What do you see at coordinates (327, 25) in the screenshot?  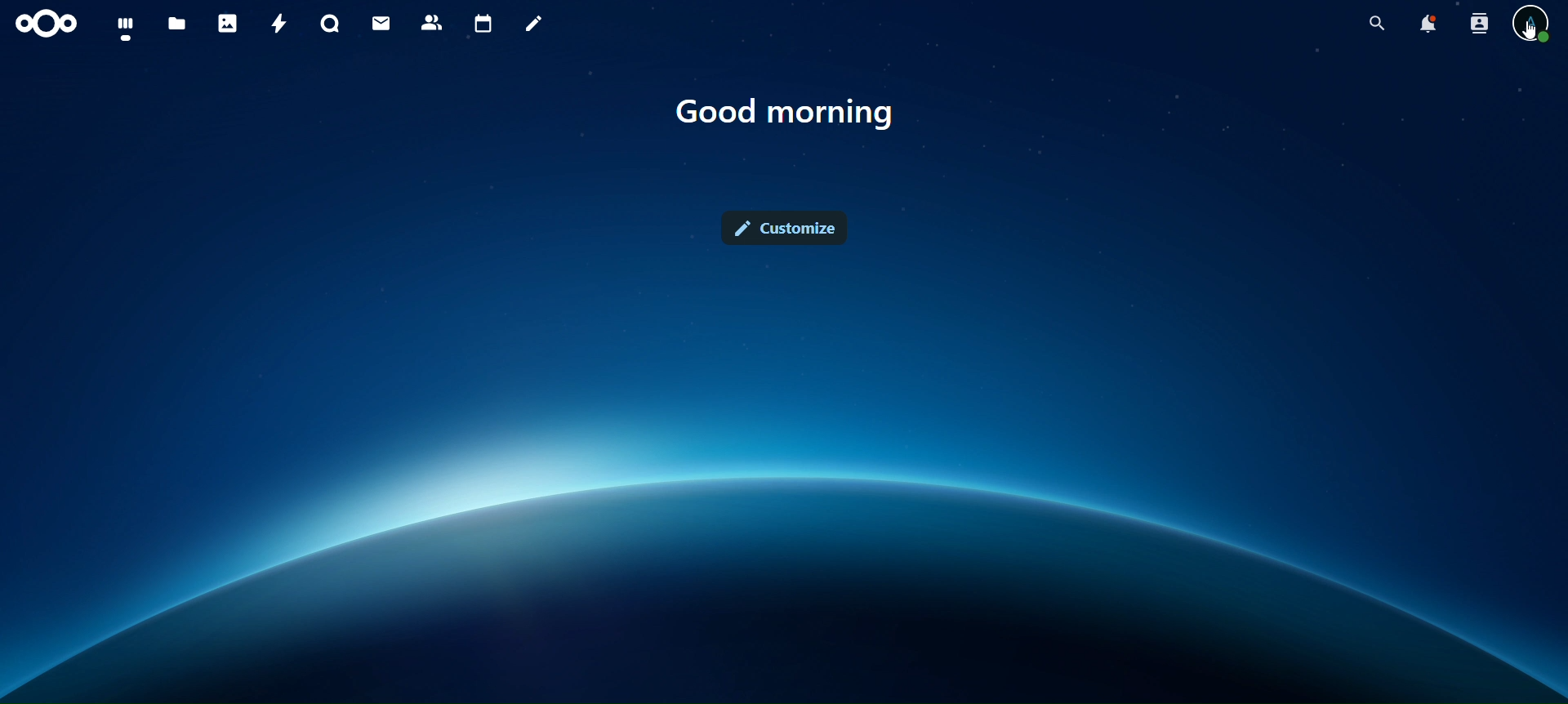 I see `talk` at bounding box center [327, 25].